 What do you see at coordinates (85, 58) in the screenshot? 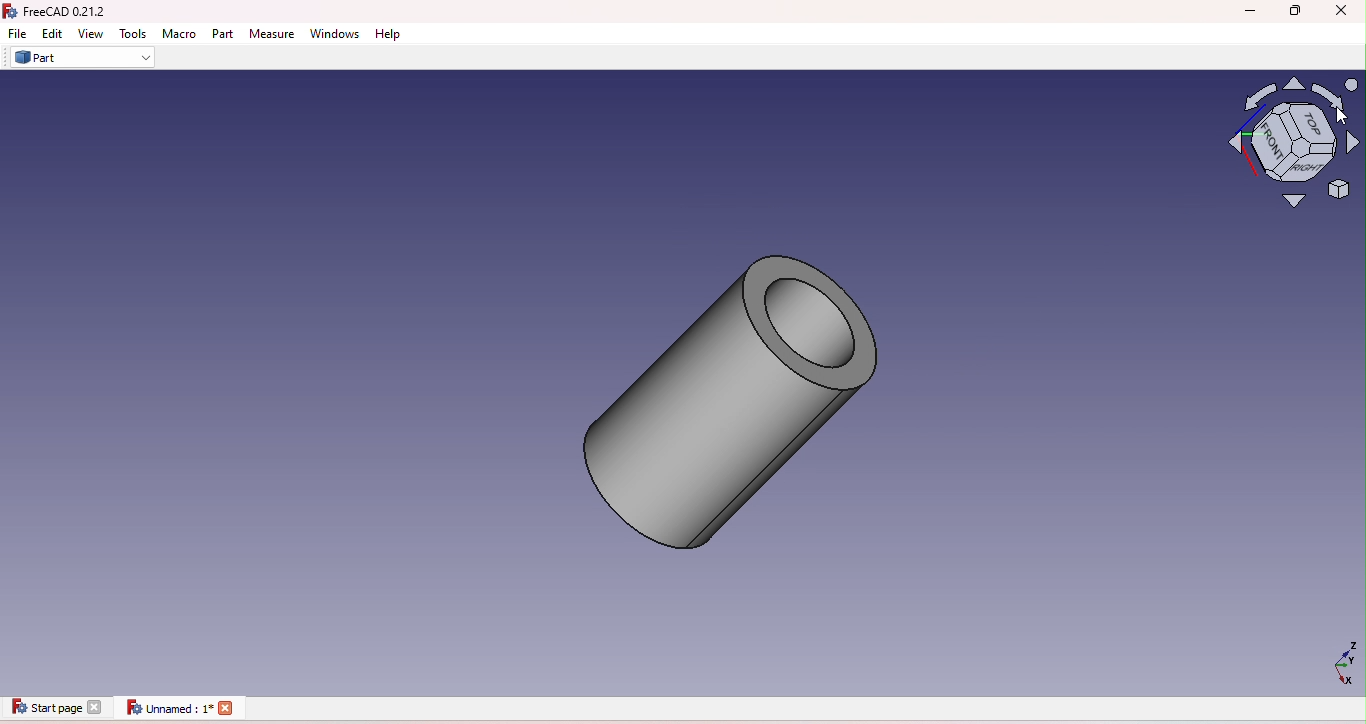
I see `Part` at bounding box center [85, 58].